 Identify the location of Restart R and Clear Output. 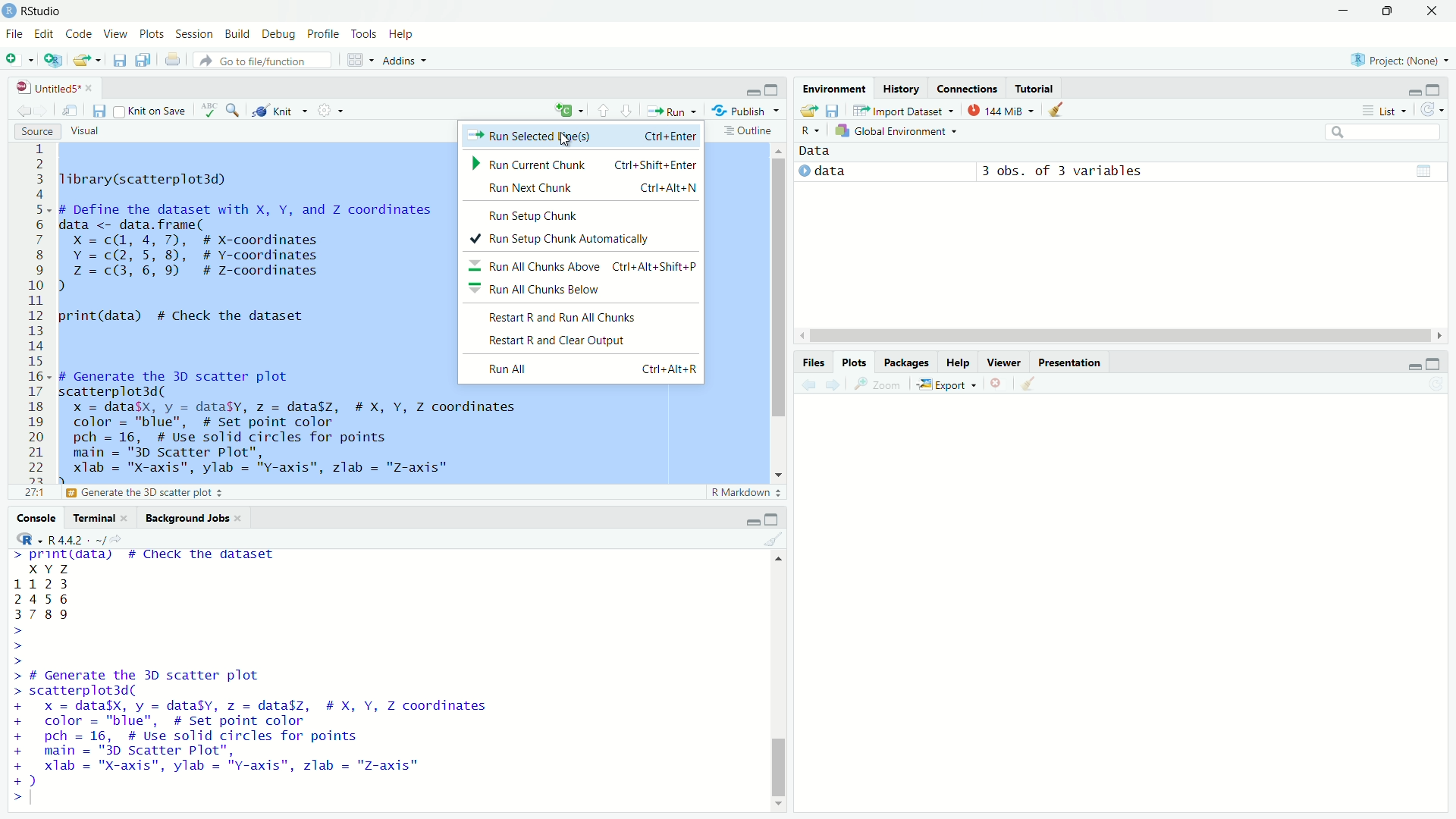
(564, 341).